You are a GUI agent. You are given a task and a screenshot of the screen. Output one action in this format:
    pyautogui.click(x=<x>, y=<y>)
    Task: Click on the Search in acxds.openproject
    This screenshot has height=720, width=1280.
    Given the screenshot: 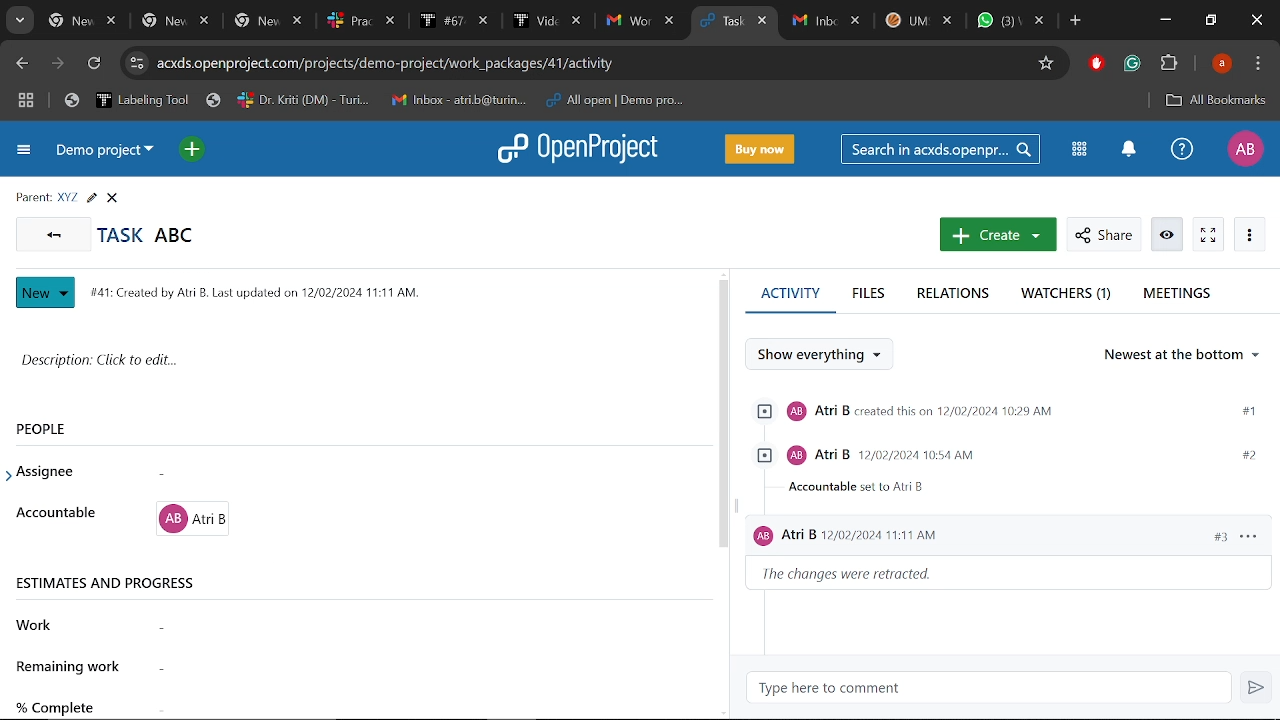 What is the action you would take?
    pyautogui.click(x=943, y=149)
    